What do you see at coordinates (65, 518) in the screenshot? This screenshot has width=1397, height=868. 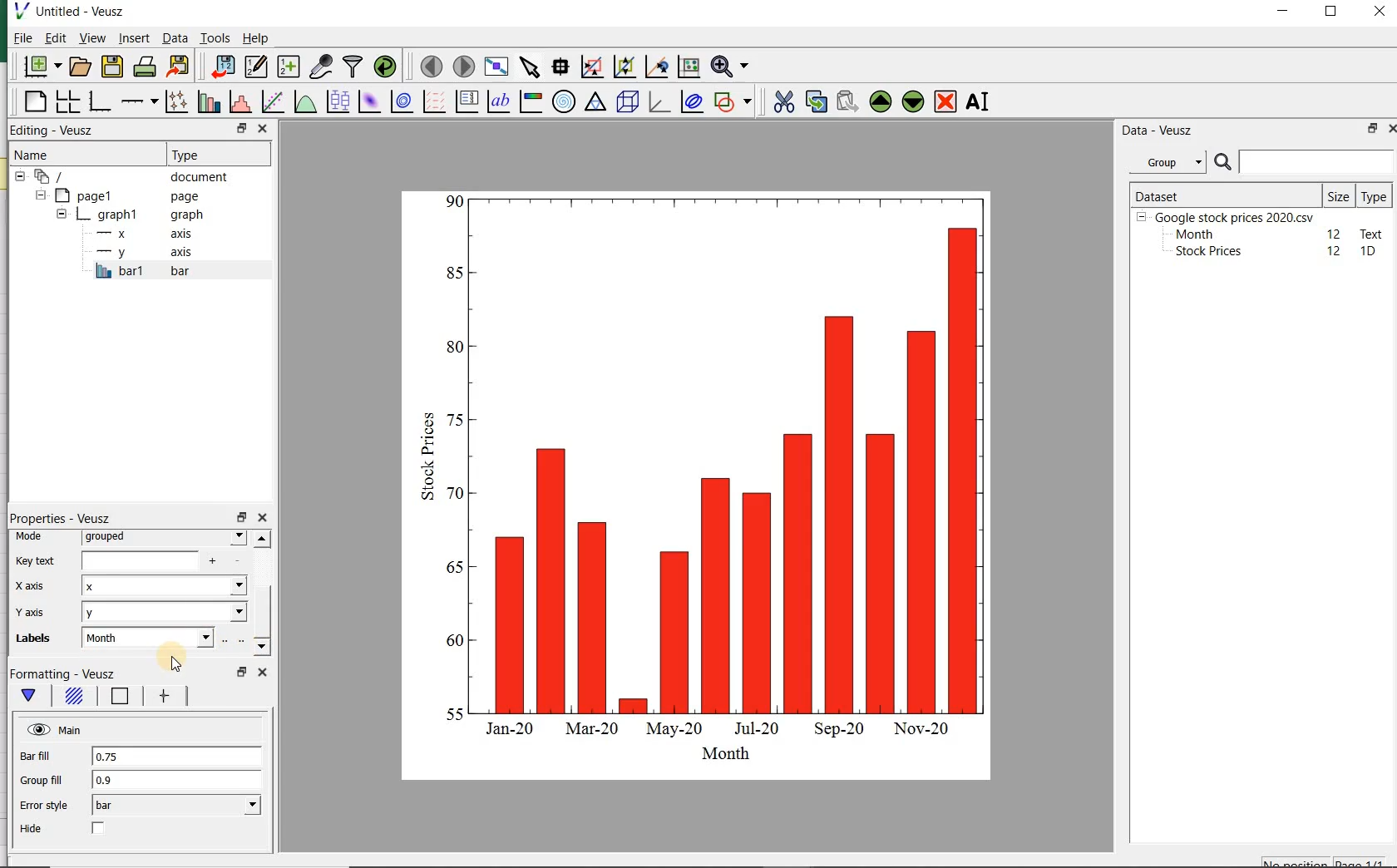 I see `Properties - Veusz` at bounding box center [65, 518].